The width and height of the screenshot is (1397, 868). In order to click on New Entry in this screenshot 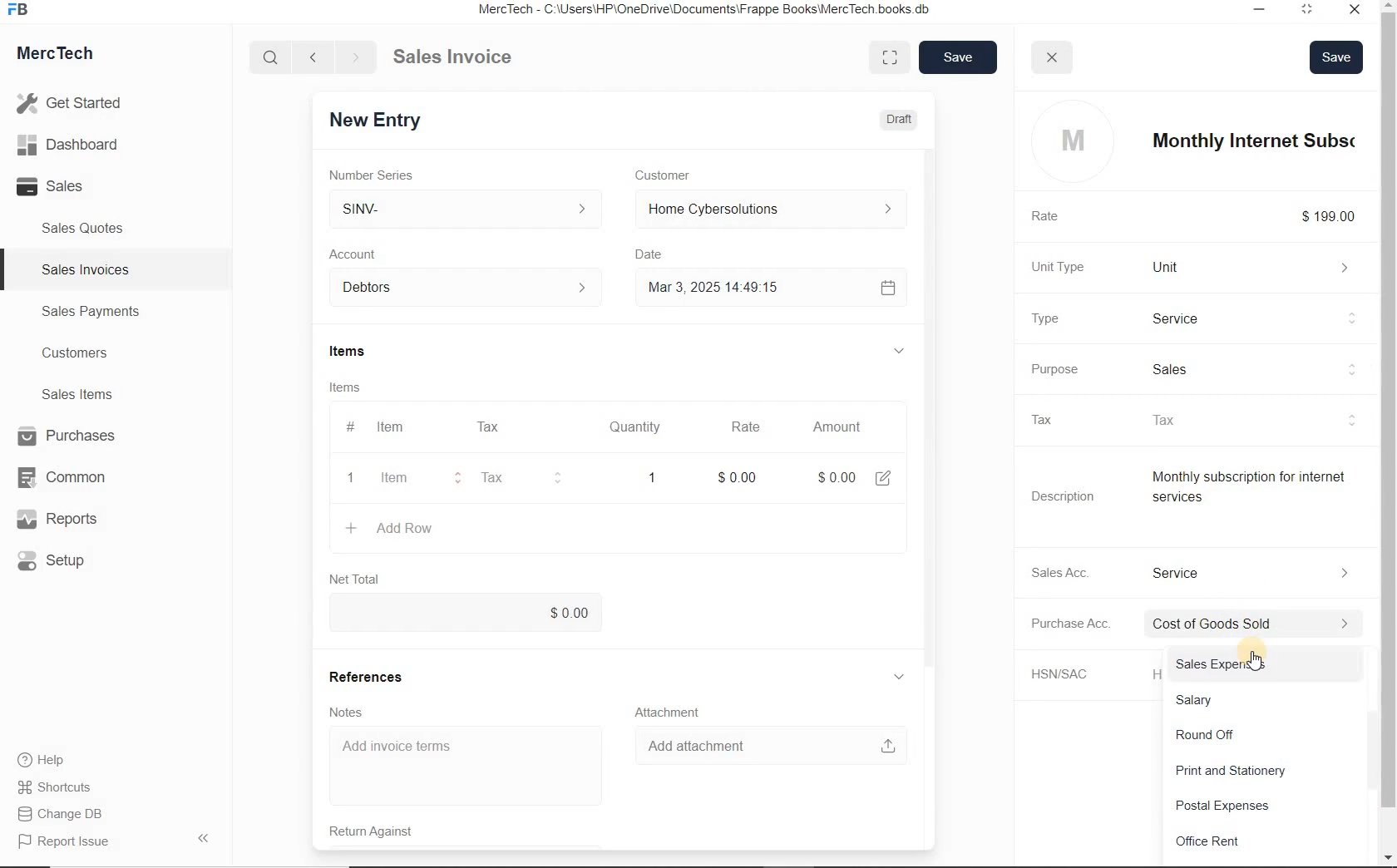, I will do `click(389, 119)`.